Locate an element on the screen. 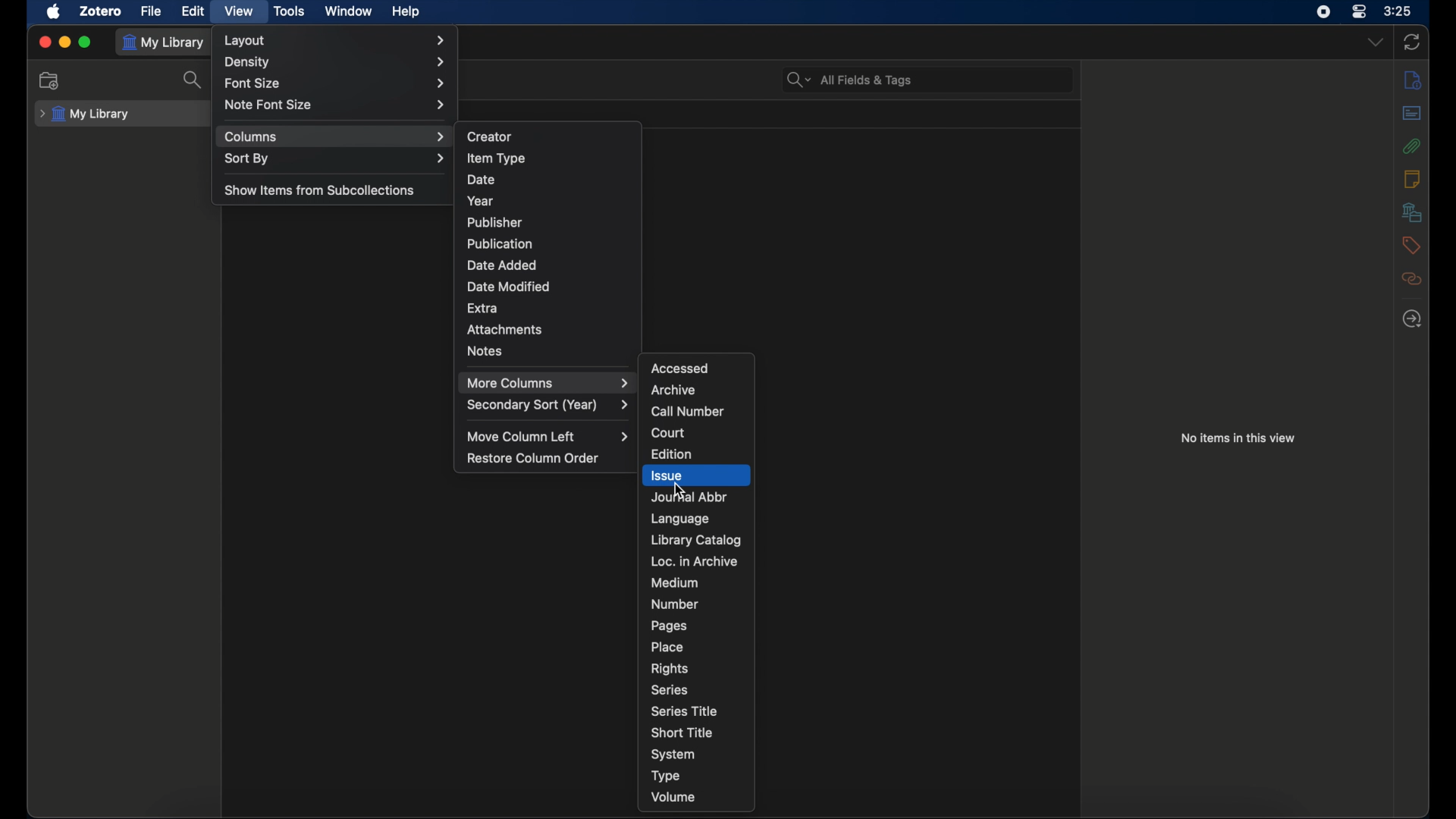 This screenshot has width=1456, height=819. date modified is located at coordinates (509, 286).